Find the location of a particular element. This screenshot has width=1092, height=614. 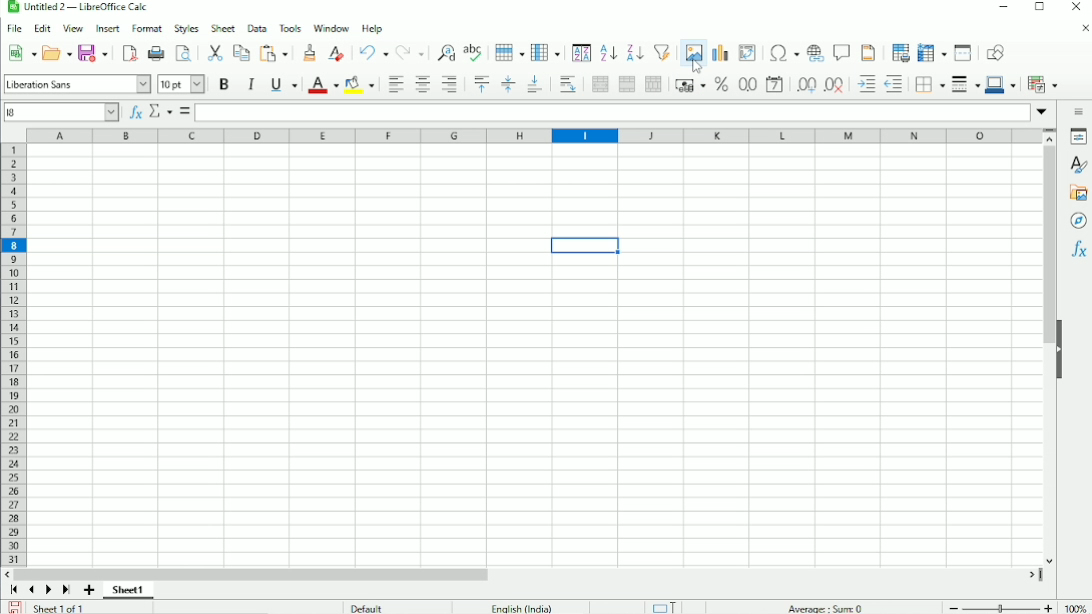

Underline is located at coordinates (284, 85).